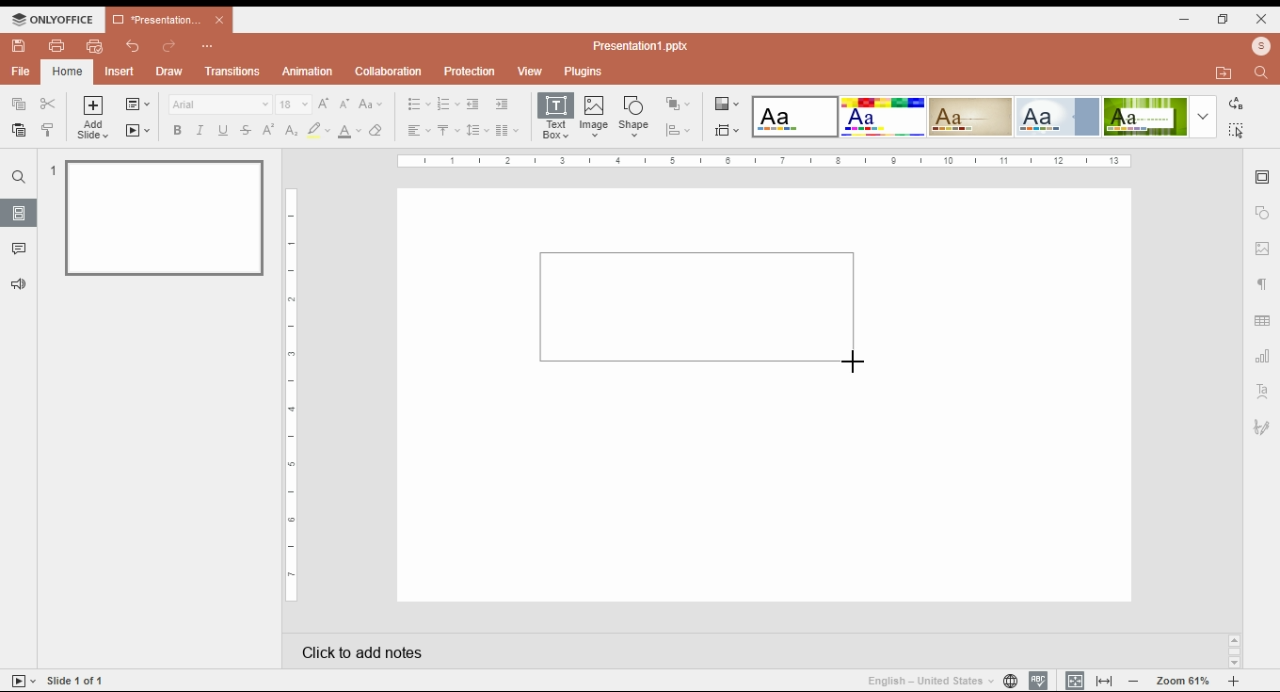 The width and height of the screenshot is (1280, 692). Describe the element at coordinates (509, 130) in the screenshot. I see `columns` at that location.